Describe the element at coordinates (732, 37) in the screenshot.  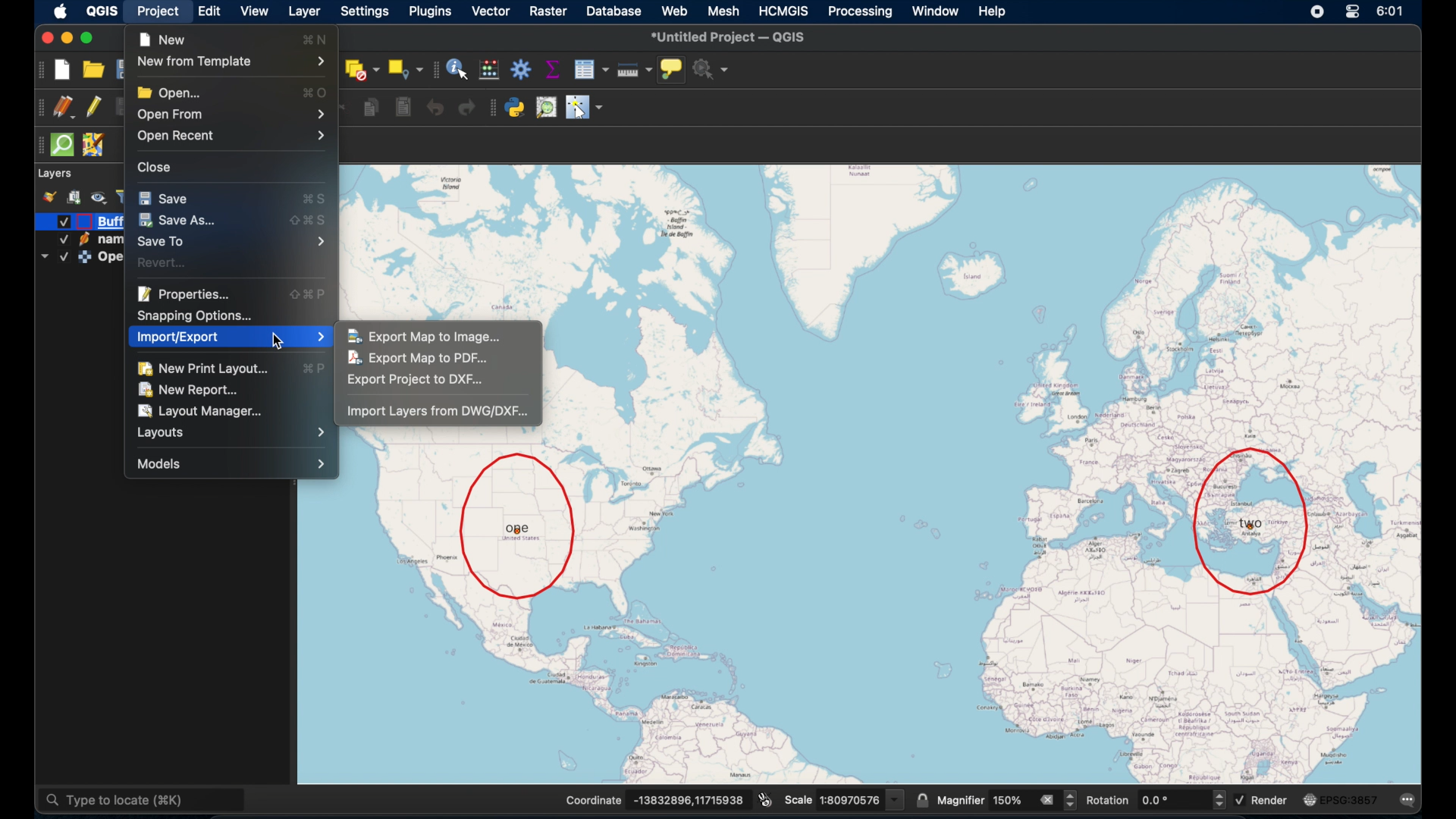
I see `*untitled project - QGIS` at that location.